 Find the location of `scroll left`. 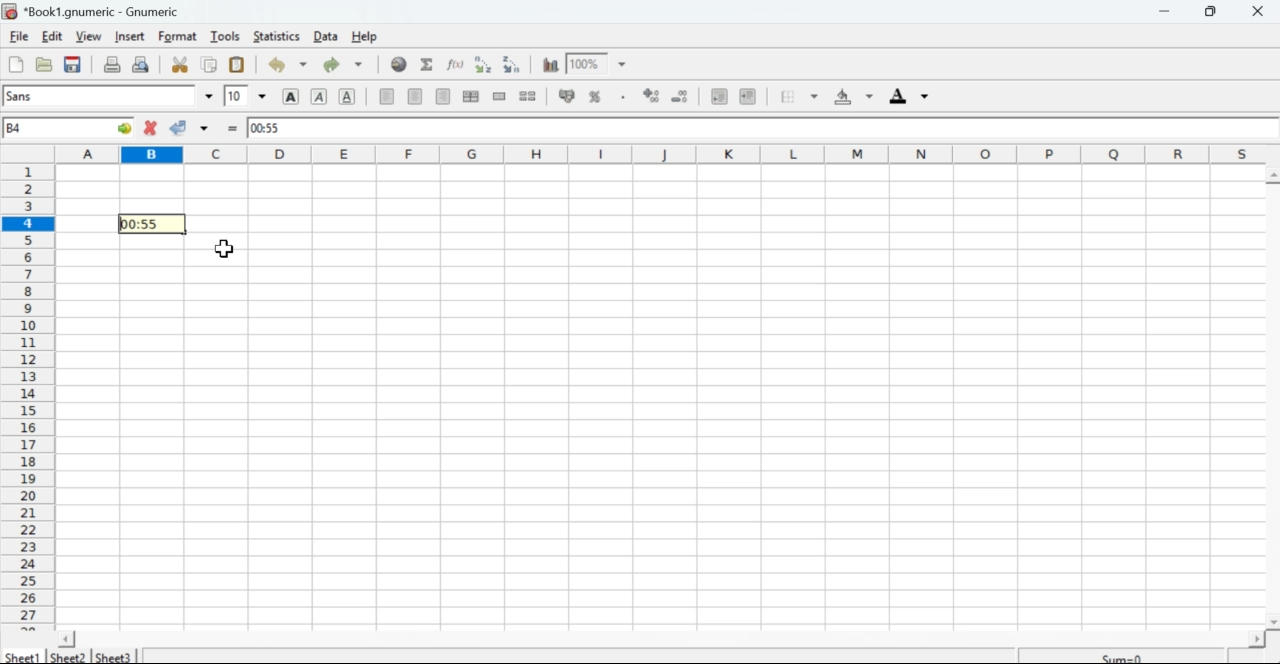

scroll left is located at coordinates (67, 639).